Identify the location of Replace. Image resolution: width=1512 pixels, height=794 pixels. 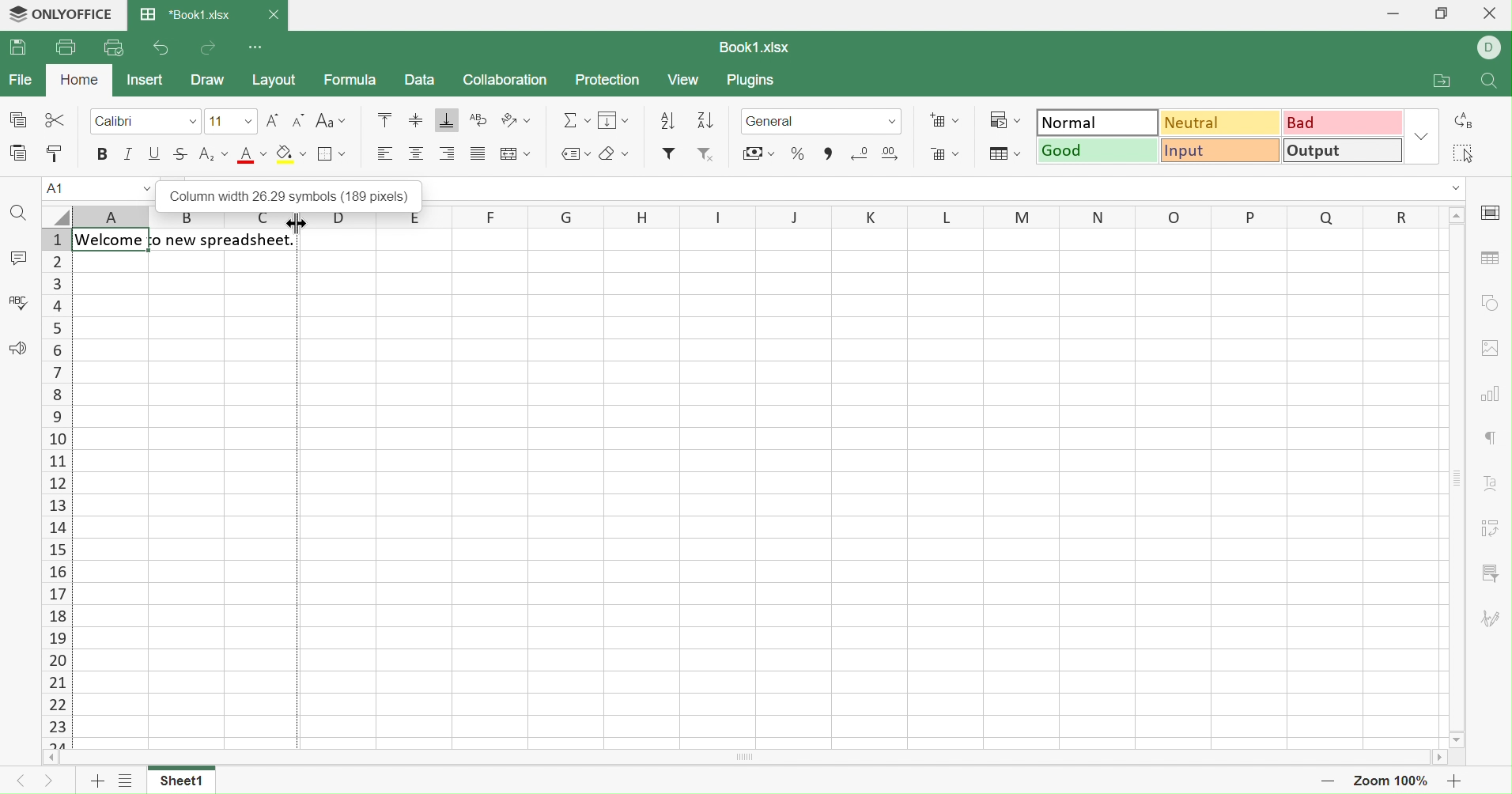
(1465, 121).